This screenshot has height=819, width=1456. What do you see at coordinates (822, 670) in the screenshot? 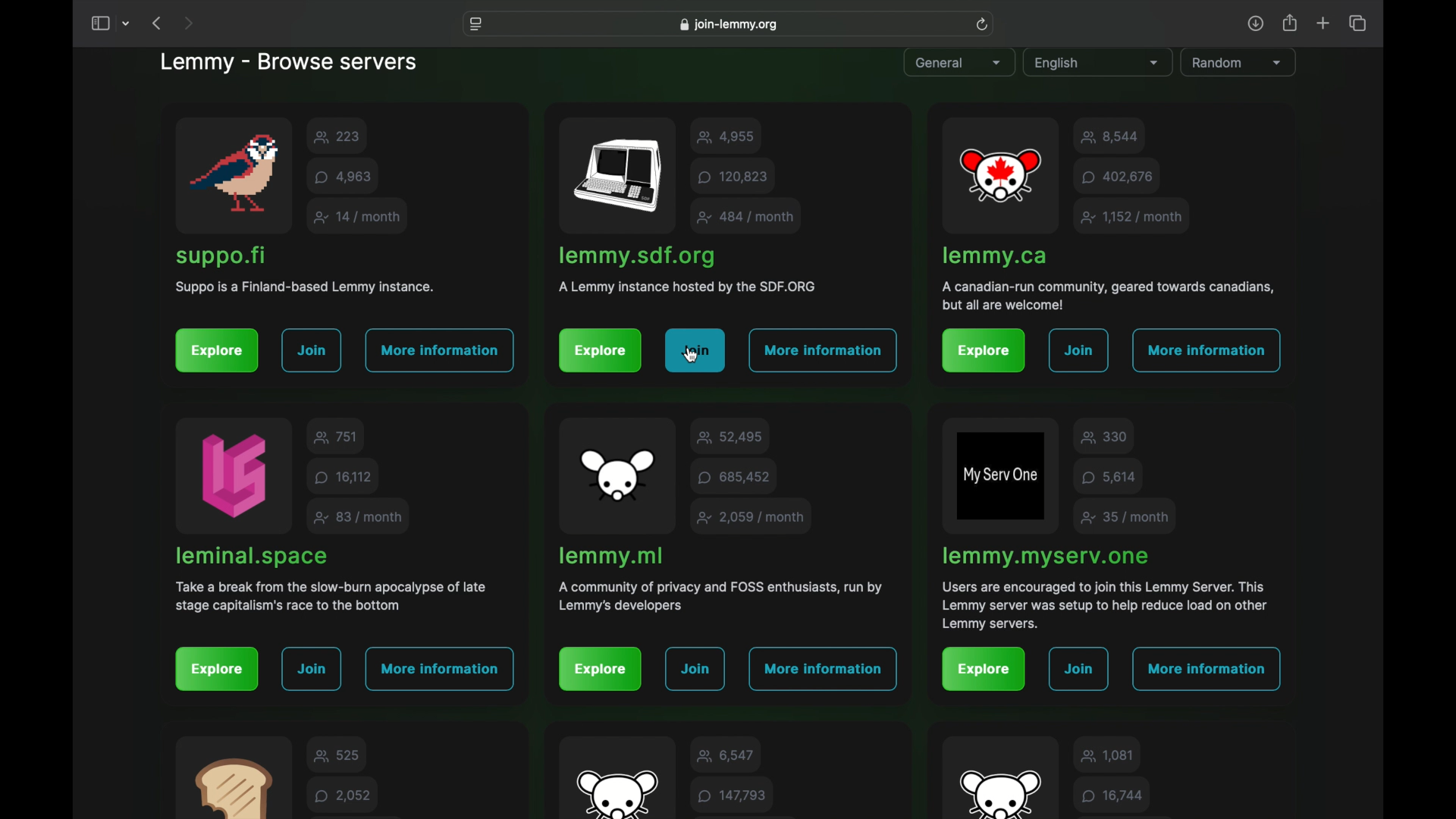
I see `more information` at bounding box center [822, 670].